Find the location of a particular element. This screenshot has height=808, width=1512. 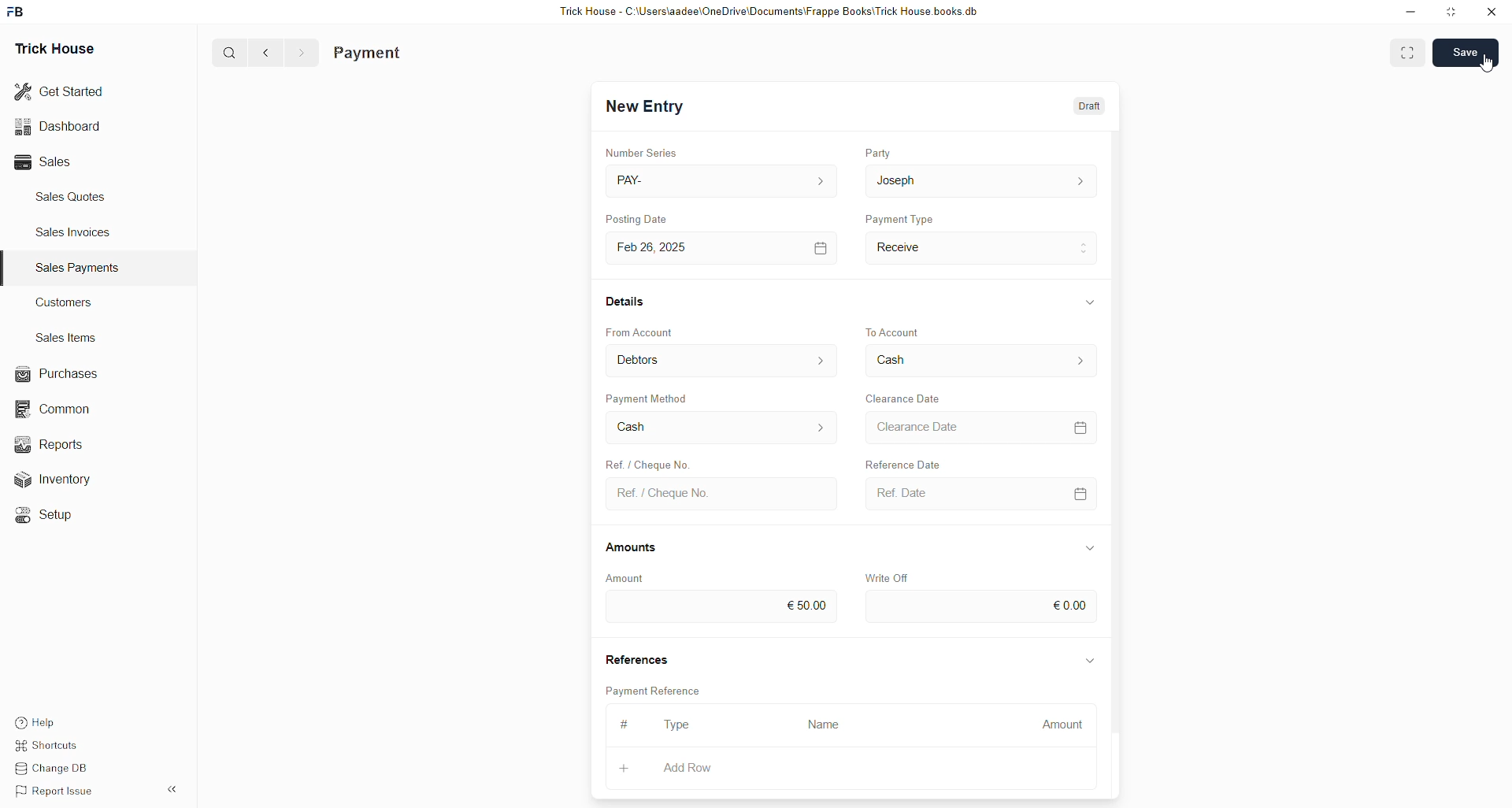

Trick House - C:\Users\aadee\OneDrive\Documents\Frappe Books\Trick House books db is located at coordinates (770, 12).